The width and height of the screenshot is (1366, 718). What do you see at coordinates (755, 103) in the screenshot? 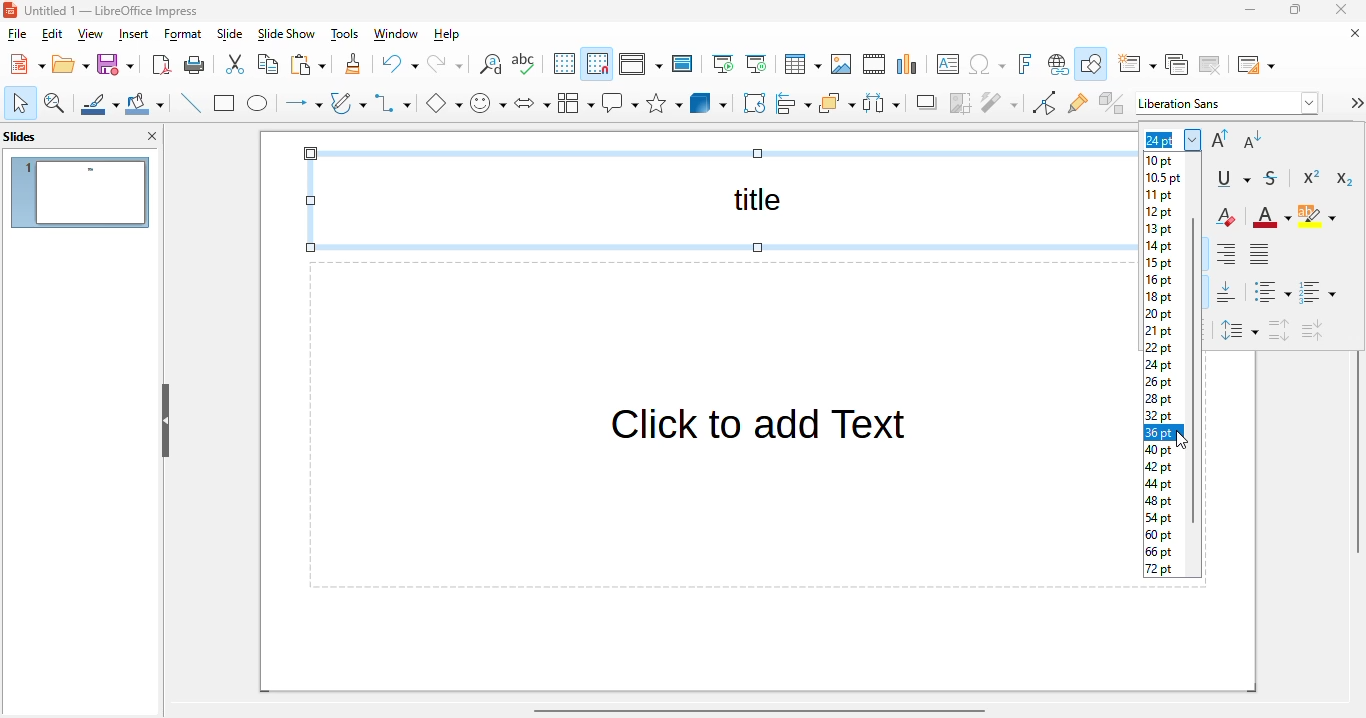
I see `rotate` at bounding box center [755, 103].